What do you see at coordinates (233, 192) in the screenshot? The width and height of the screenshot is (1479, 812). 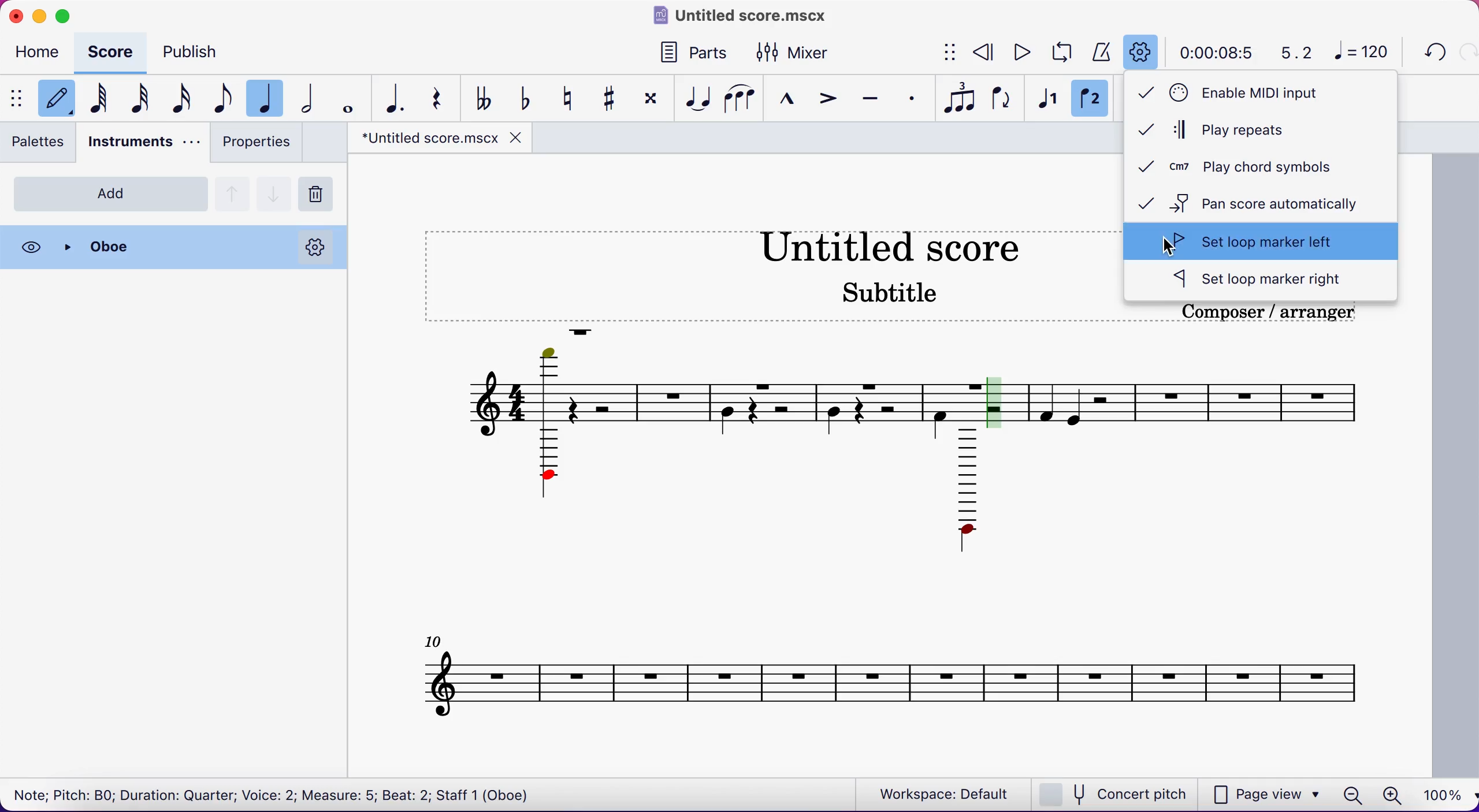 I see `go up` at bounding box center [233, 192].